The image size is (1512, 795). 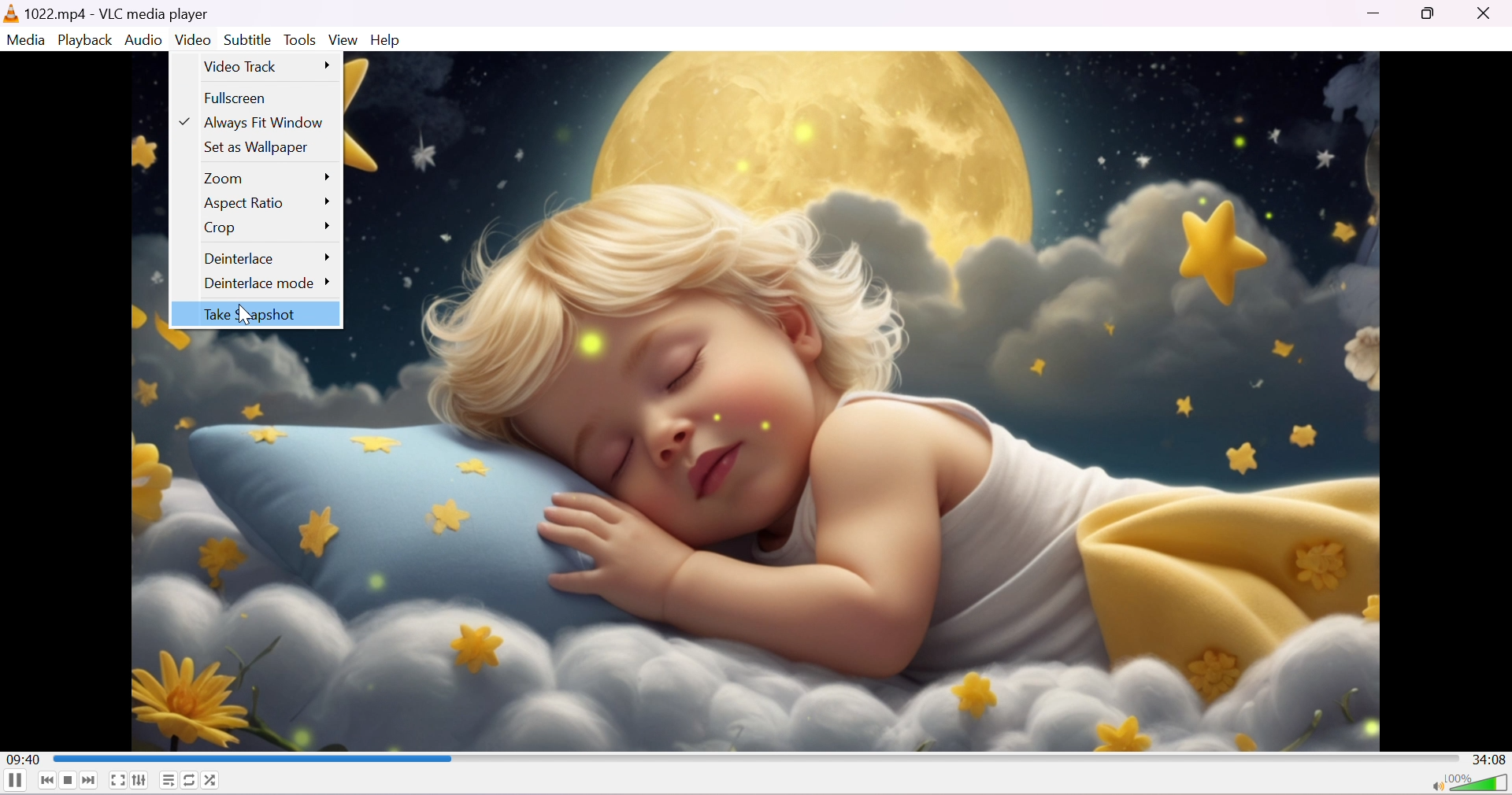 I want to click on Subtitles, so click(x=248, y=40).